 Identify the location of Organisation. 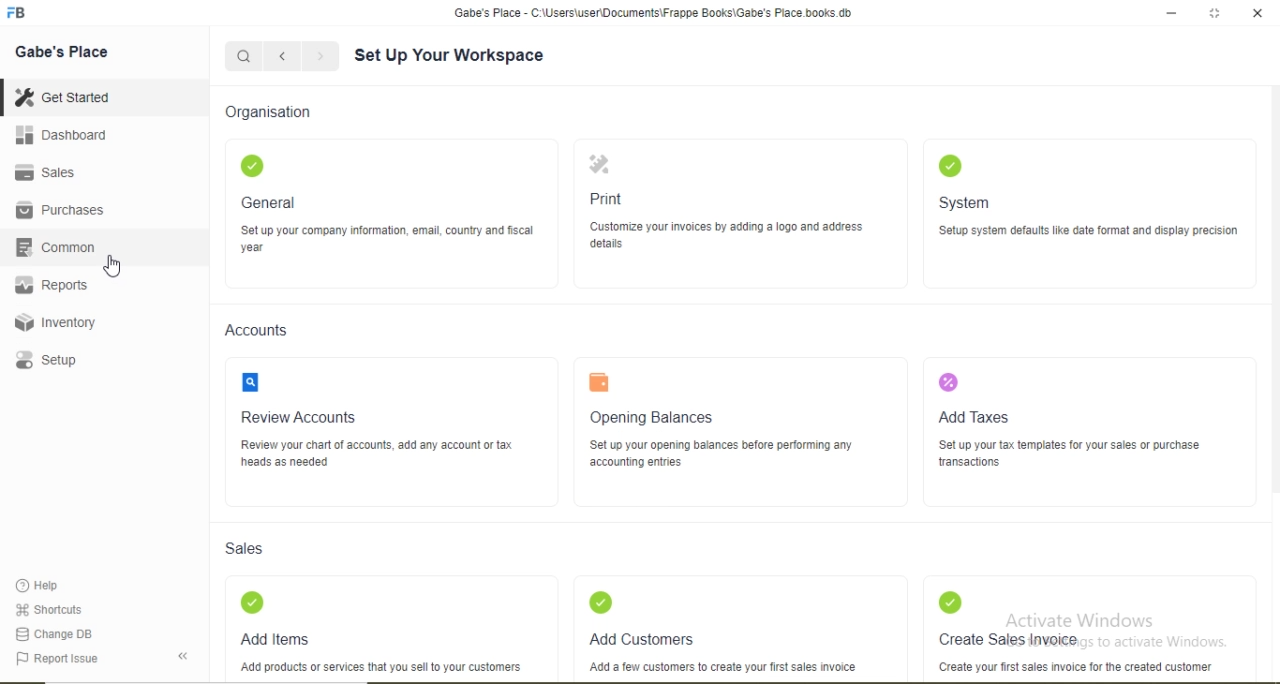
(266, 111).